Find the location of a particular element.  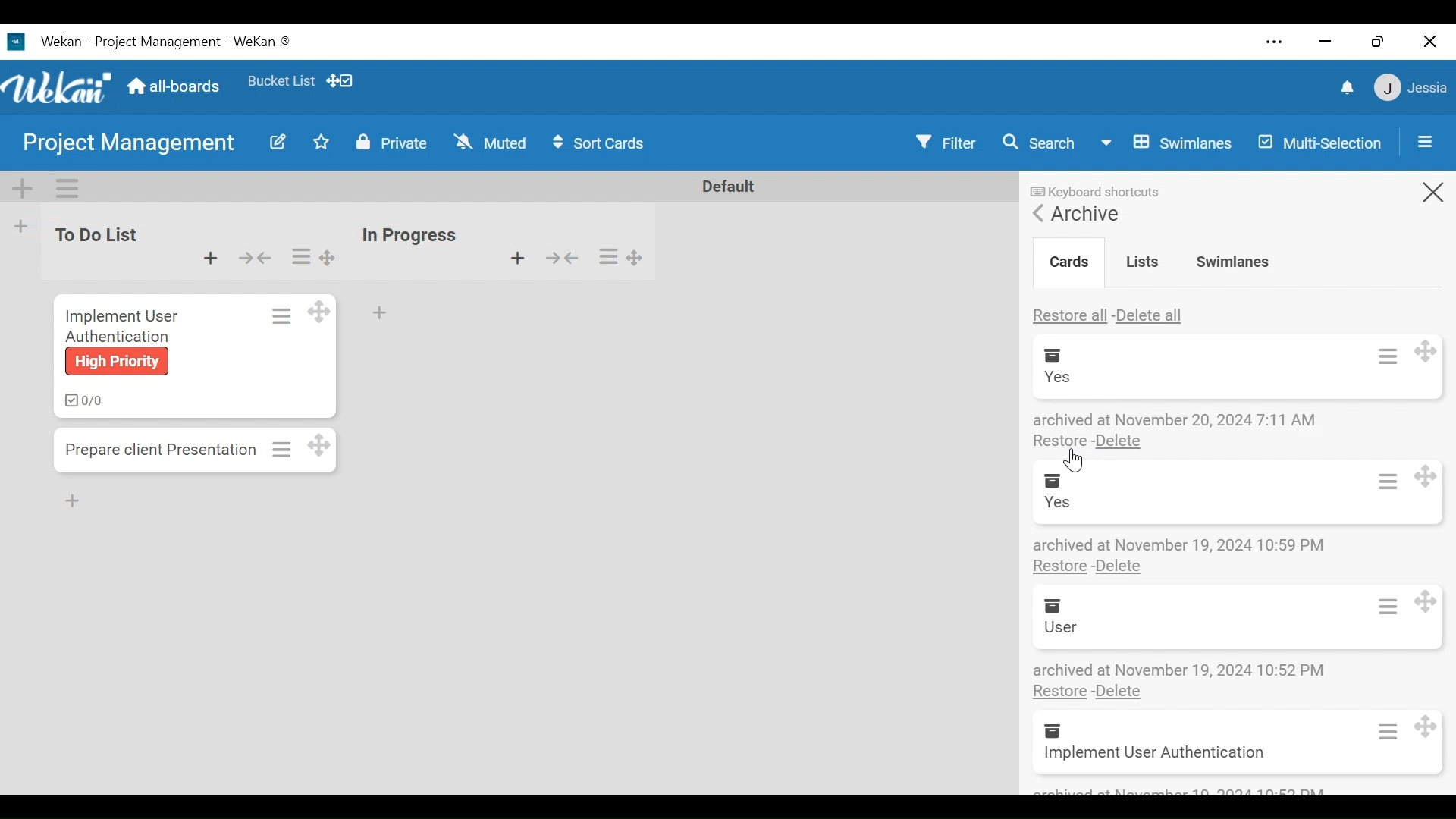

settings and more is located at coordinates (1272, 42).